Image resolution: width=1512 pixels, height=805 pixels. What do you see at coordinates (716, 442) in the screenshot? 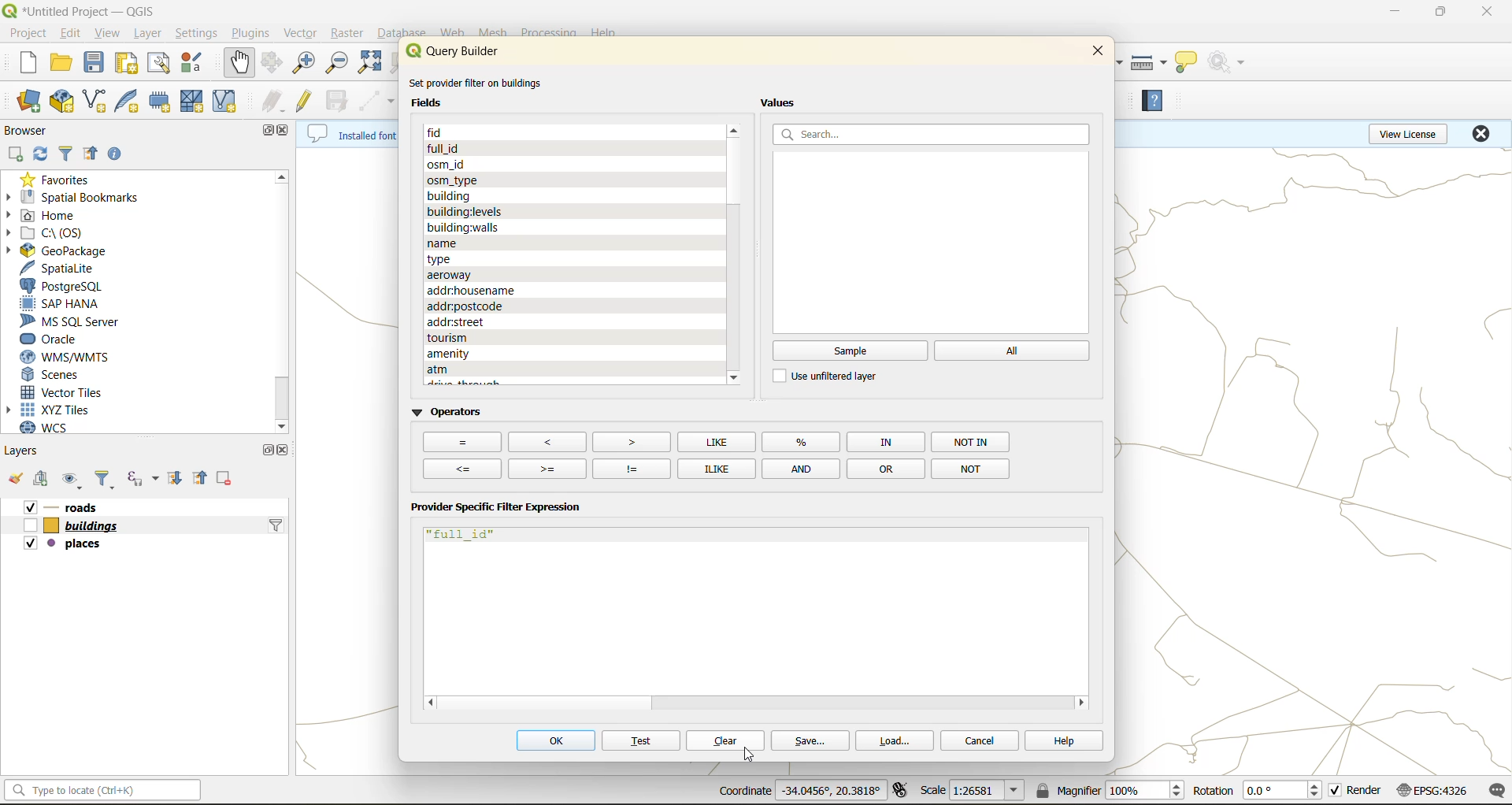
I see `opertators` at bounding box center [716, 442].